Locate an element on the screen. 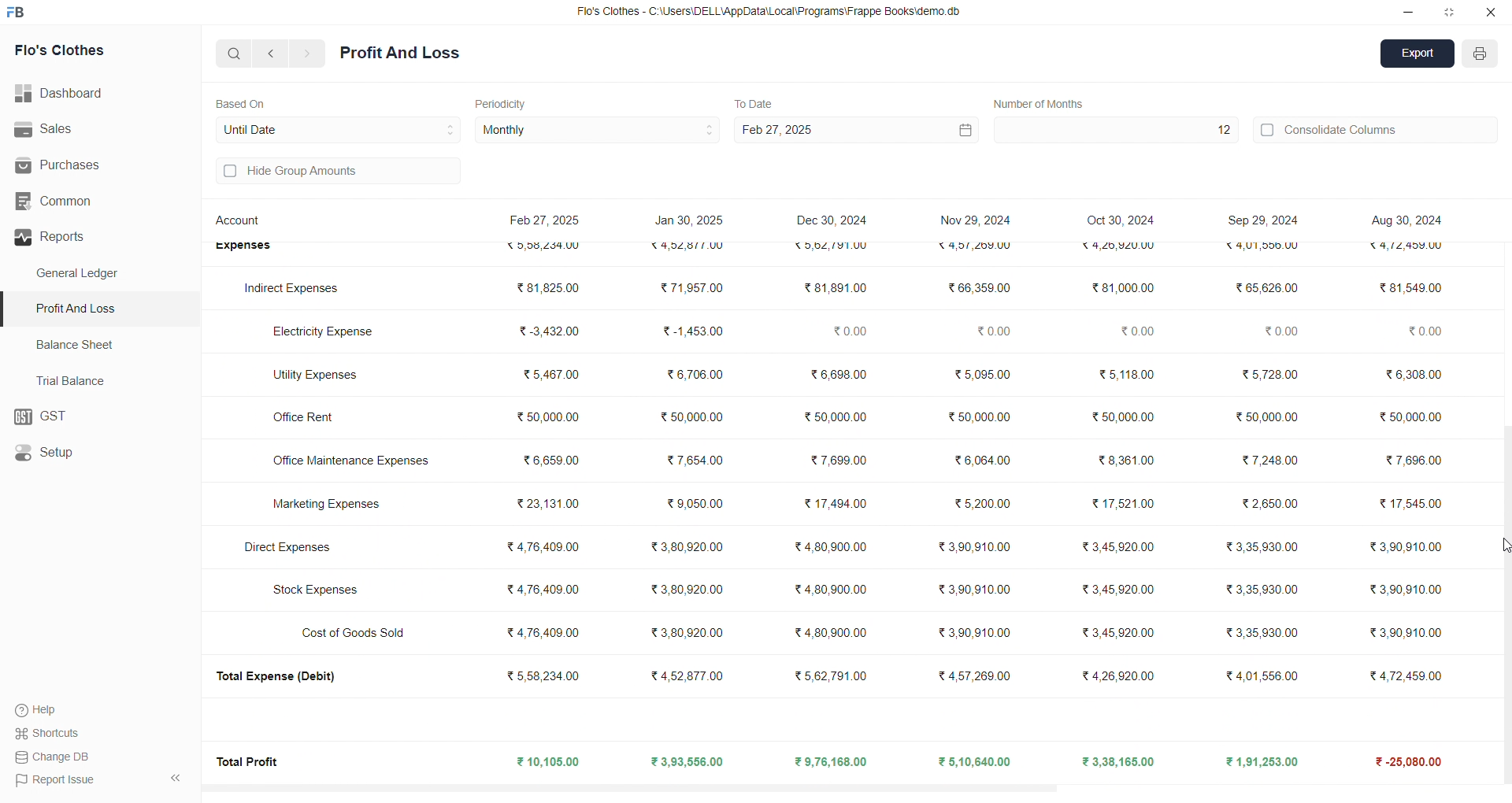  ₹ 9,050.00 is located at coordinates (685, 504).